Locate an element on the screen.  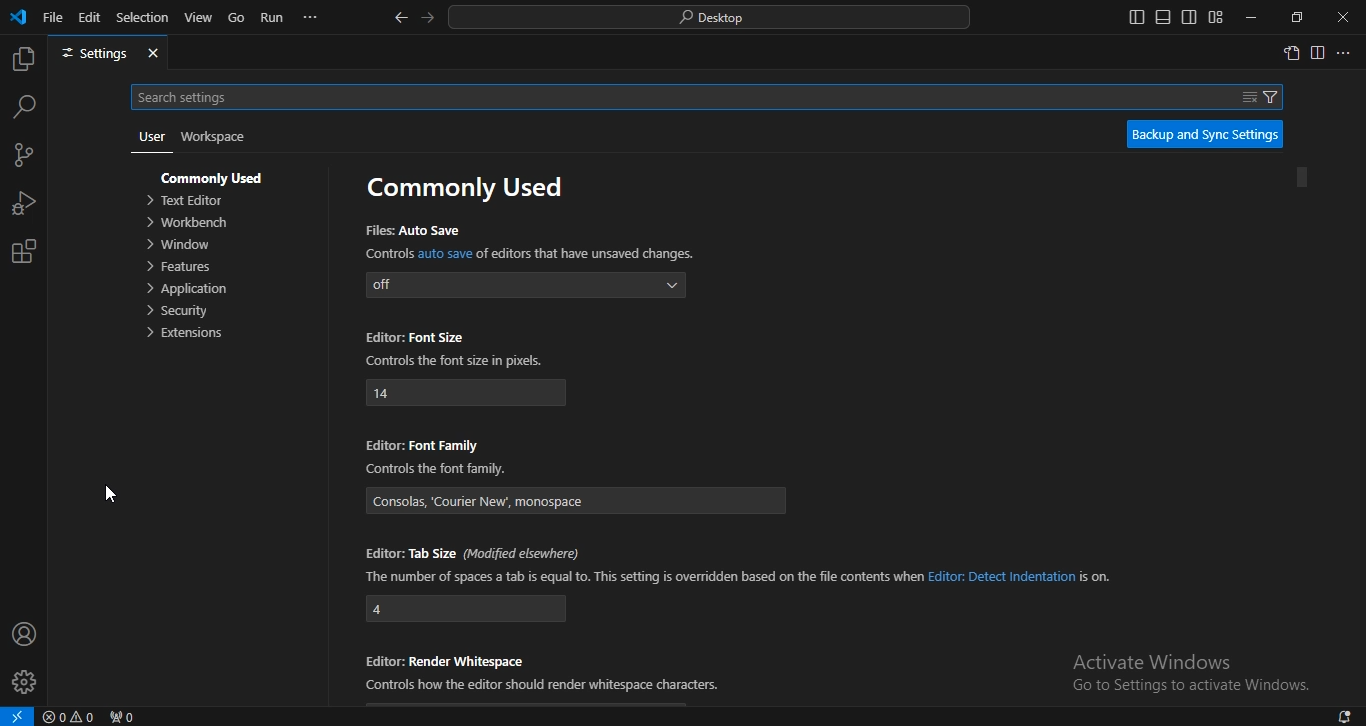
... is located at coordinates (1345, 53).